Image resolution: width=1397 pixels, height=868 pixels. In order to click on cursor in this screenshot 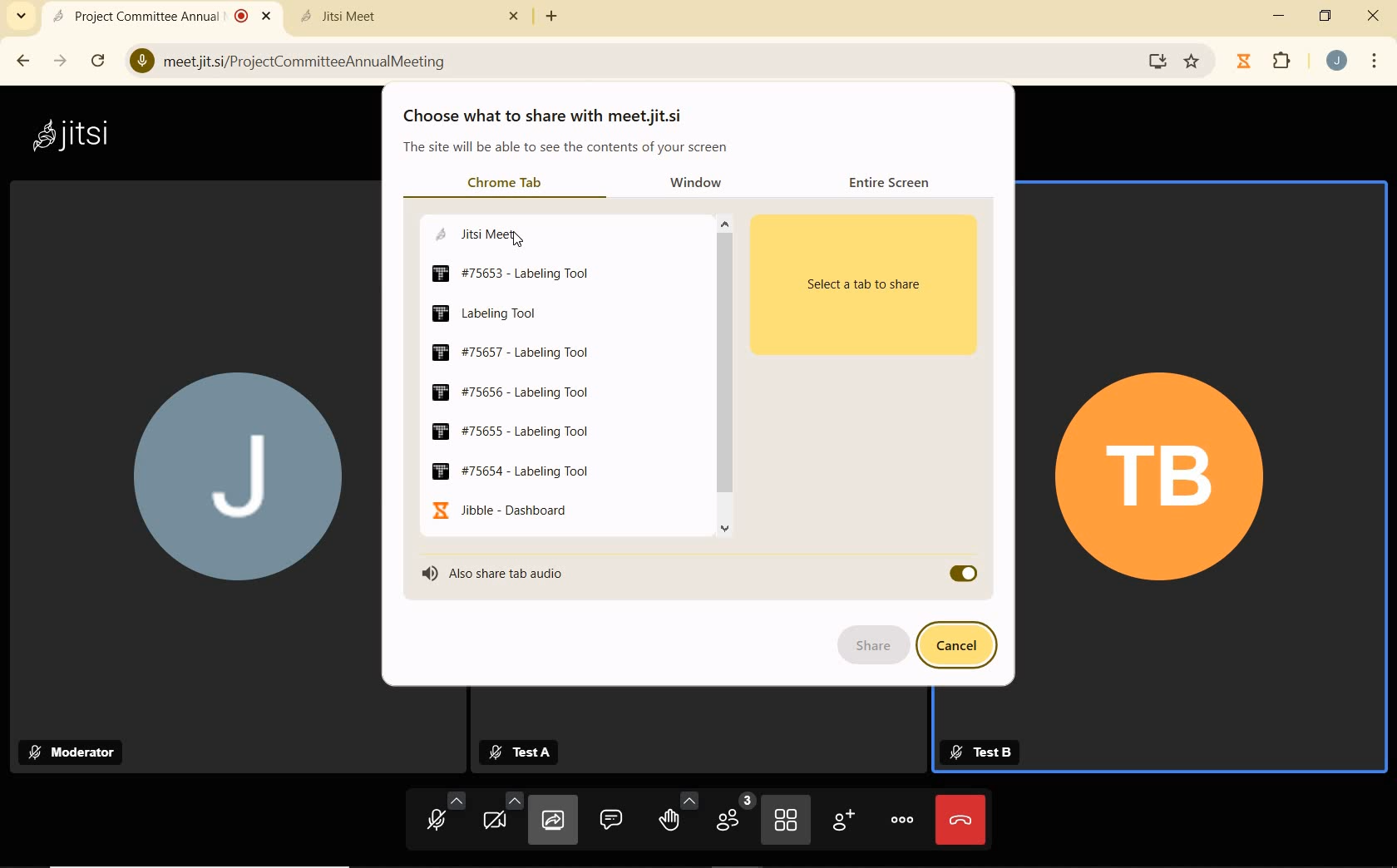, I will do `click(521, 242)`.